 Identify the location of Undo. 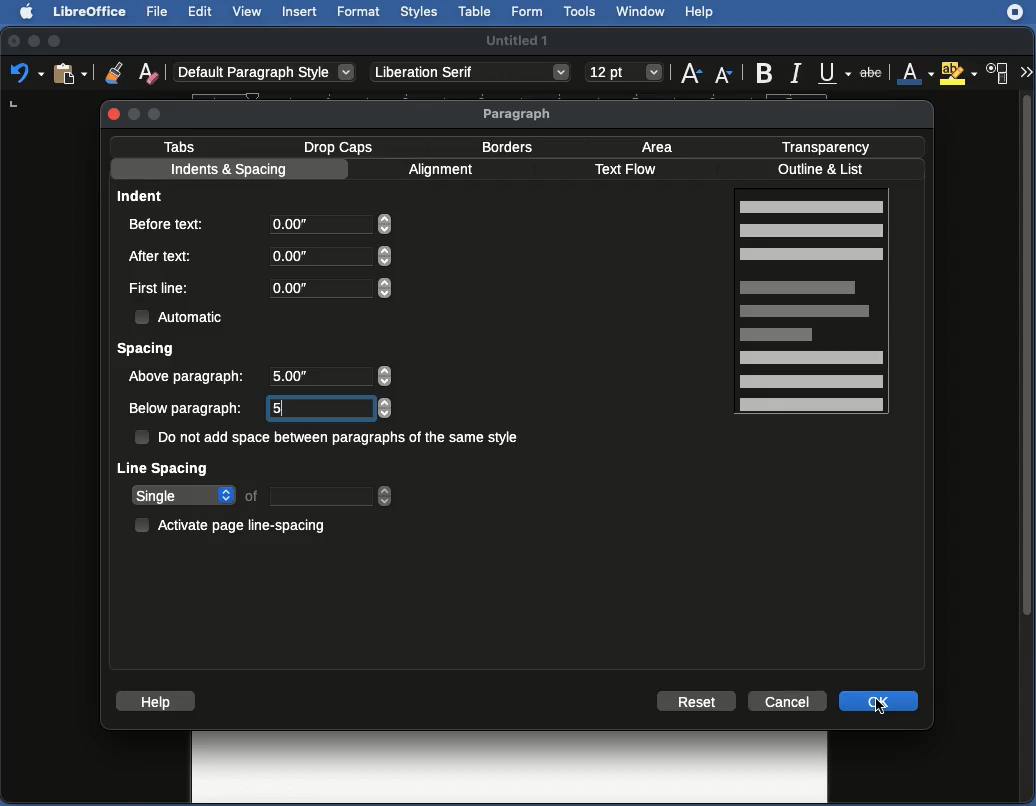
(26, 74).